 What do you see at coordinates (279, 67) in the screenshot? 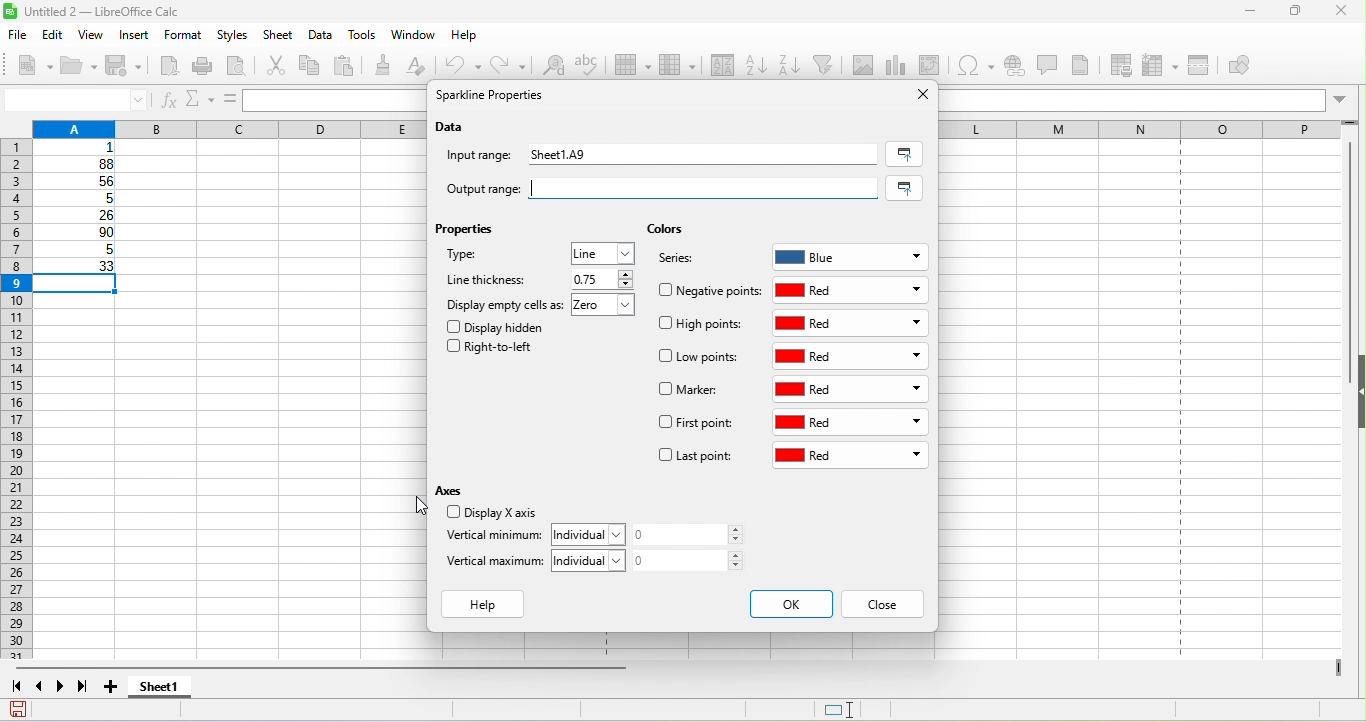
I see `cut` at bounding box center [279, 67].